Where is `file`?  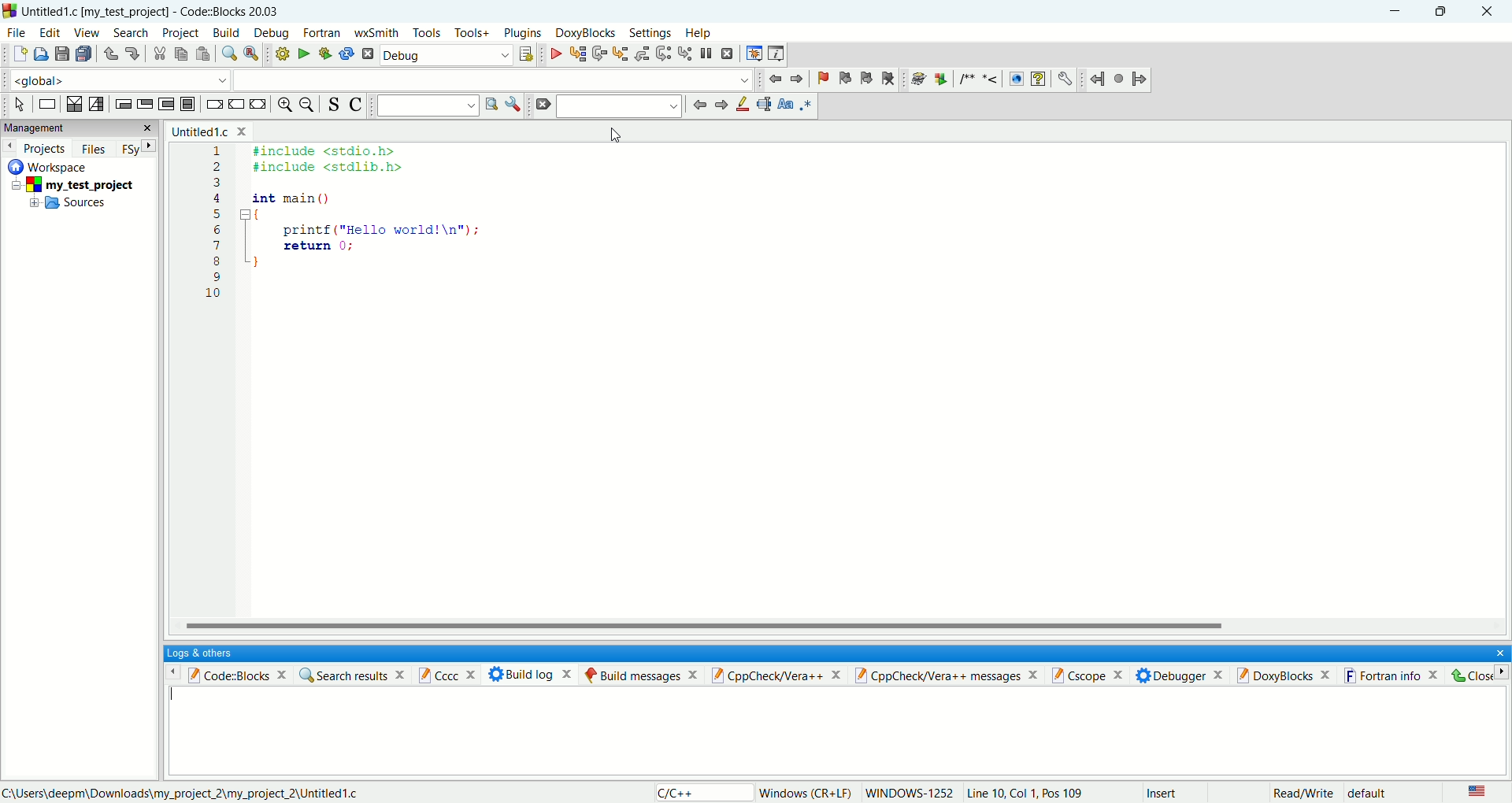
file is located at coordinates (16, 31).